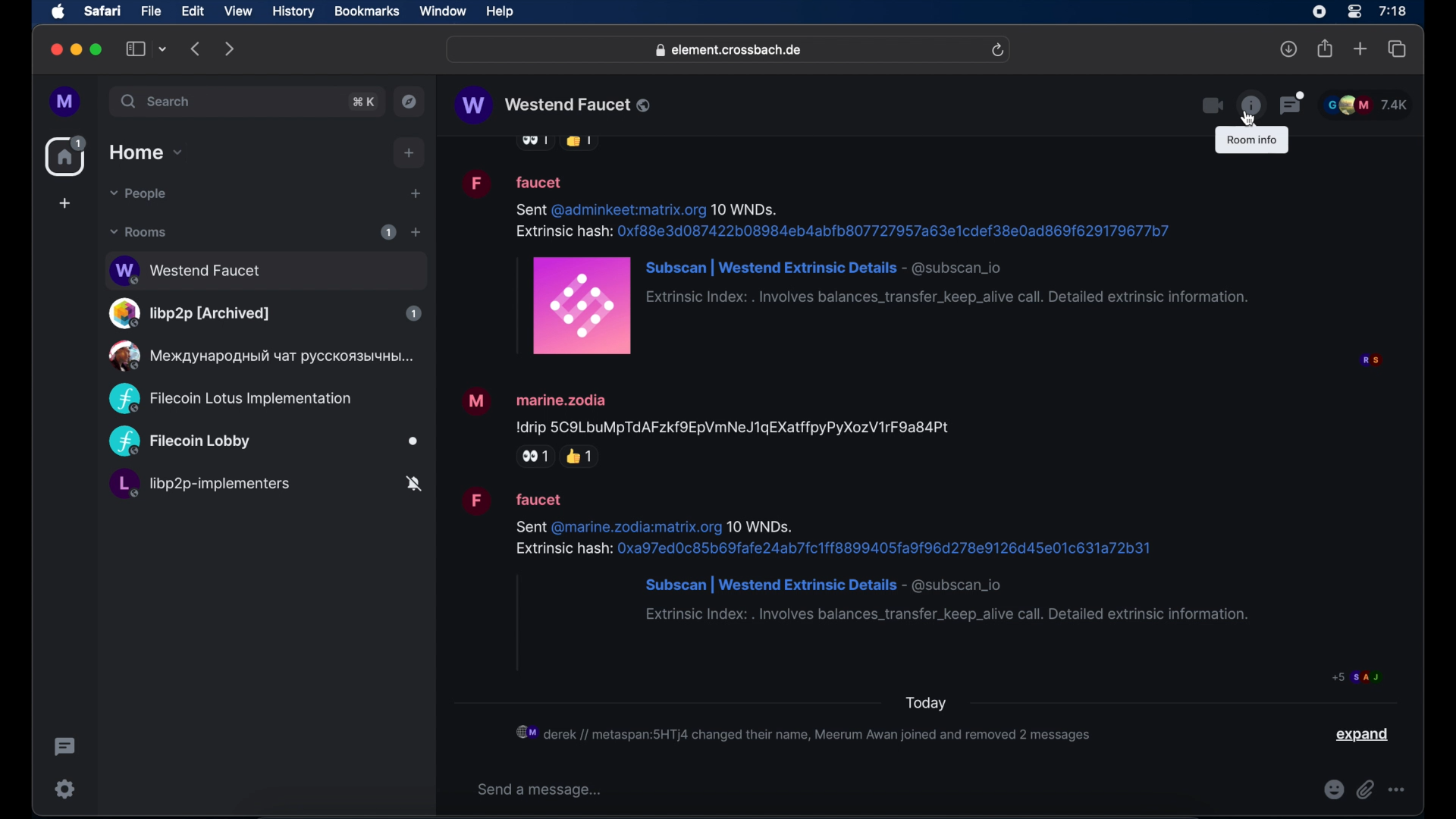 The height and width of the screenshot is (819, 1456). Describe the element at coordinates (579, 143) in the screenshot. I see `obscured icon` at that location.